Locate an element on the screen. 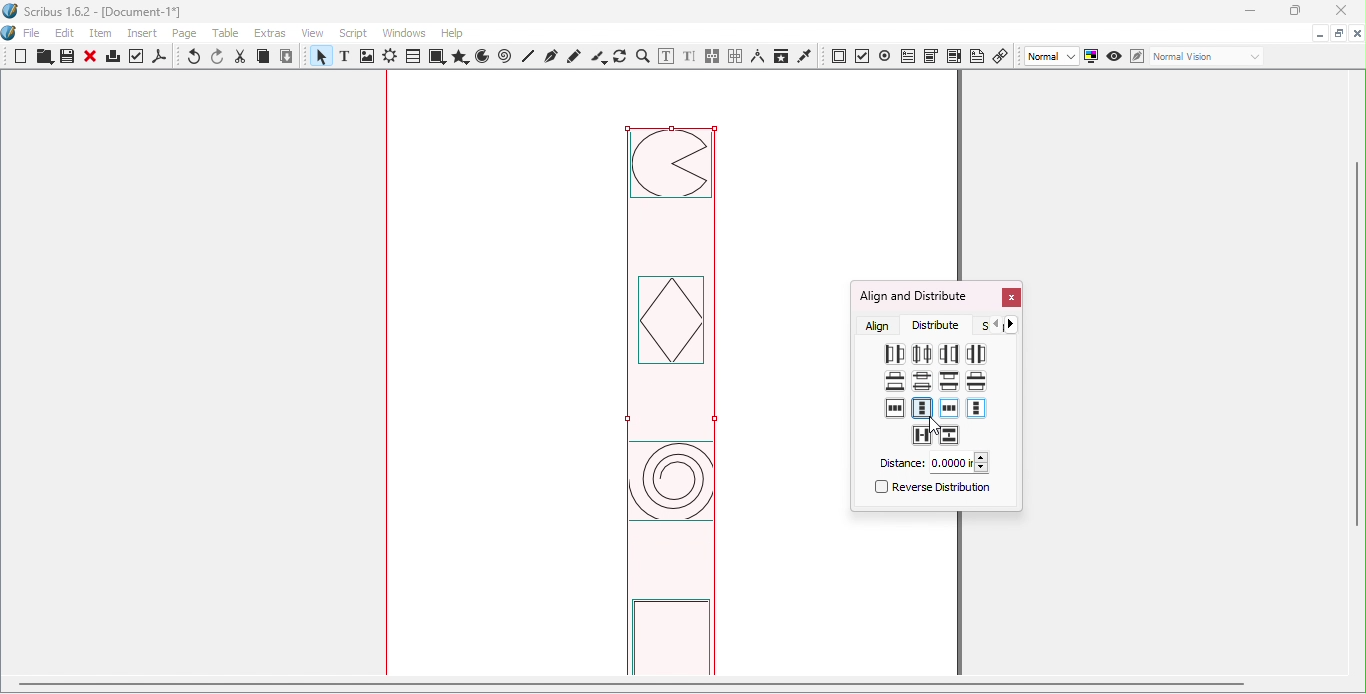 The height and width of the screenshot is (694, 1366). Print is located at coordinates (112, 59).